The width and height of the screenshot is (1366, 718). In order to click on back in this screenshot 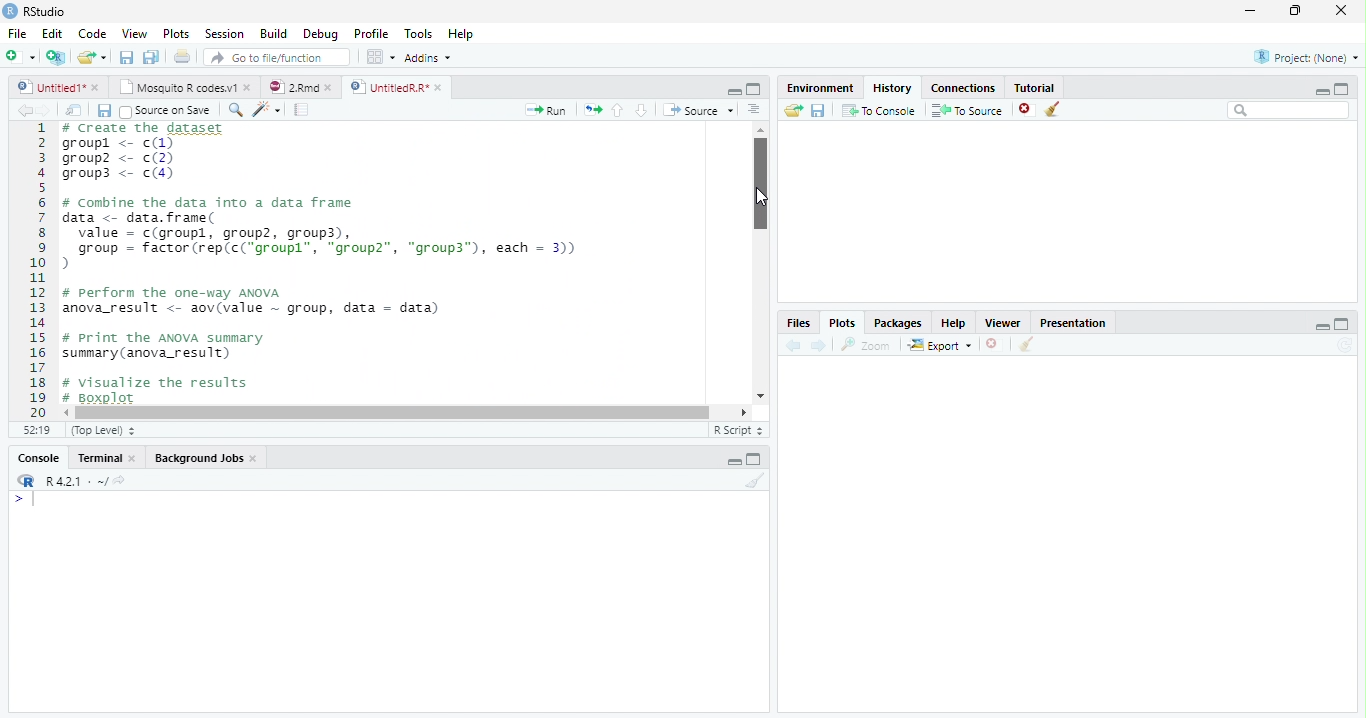, I will do `click(797, 343)`.